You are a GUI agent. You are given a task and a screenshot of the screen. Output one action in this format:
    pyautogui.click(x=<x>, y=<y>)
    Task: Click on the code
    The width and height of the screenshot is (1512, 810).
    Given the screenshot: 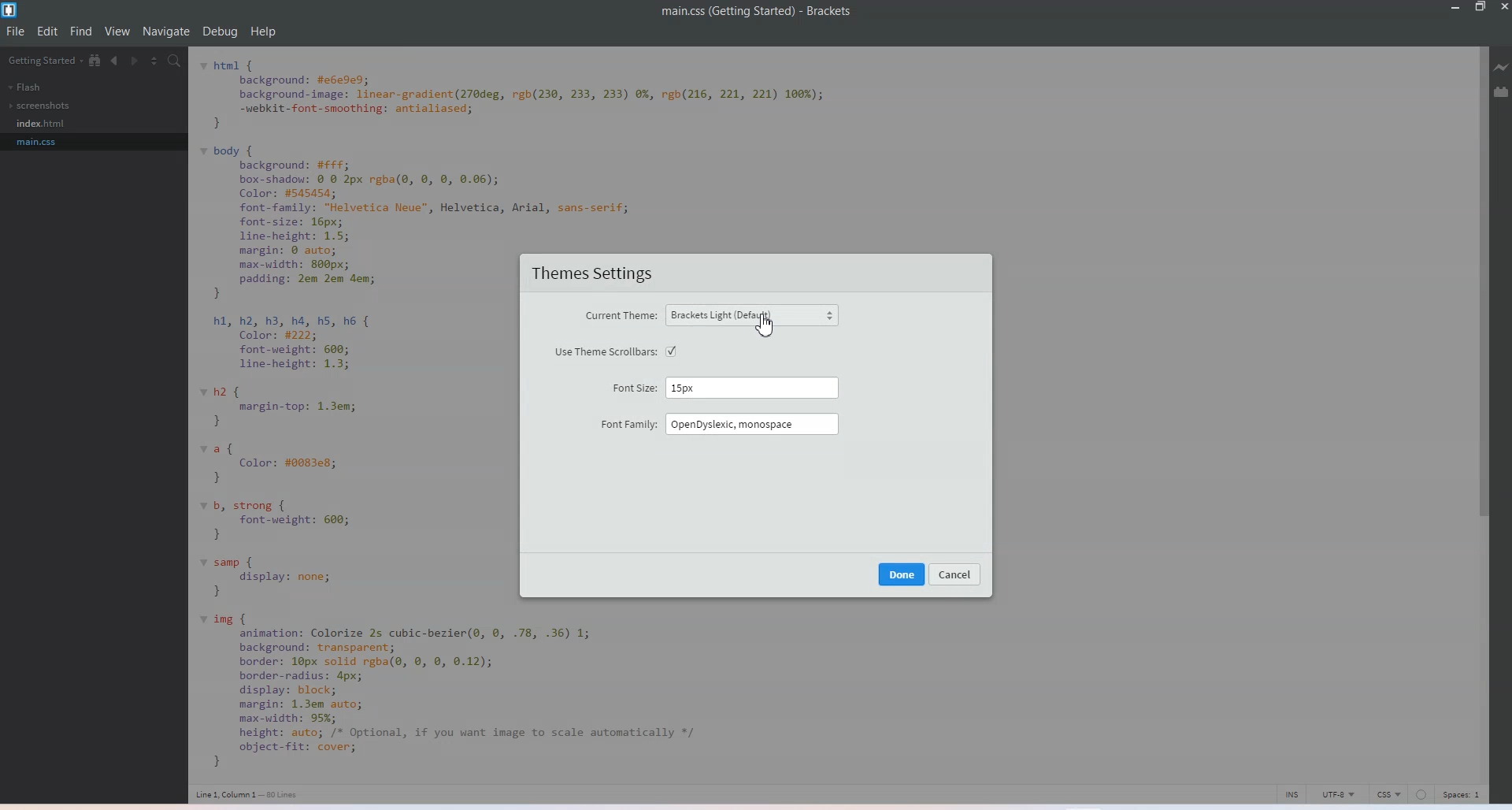 What is the action you would take?
    pyautogui.click(x=293, y=424)
    